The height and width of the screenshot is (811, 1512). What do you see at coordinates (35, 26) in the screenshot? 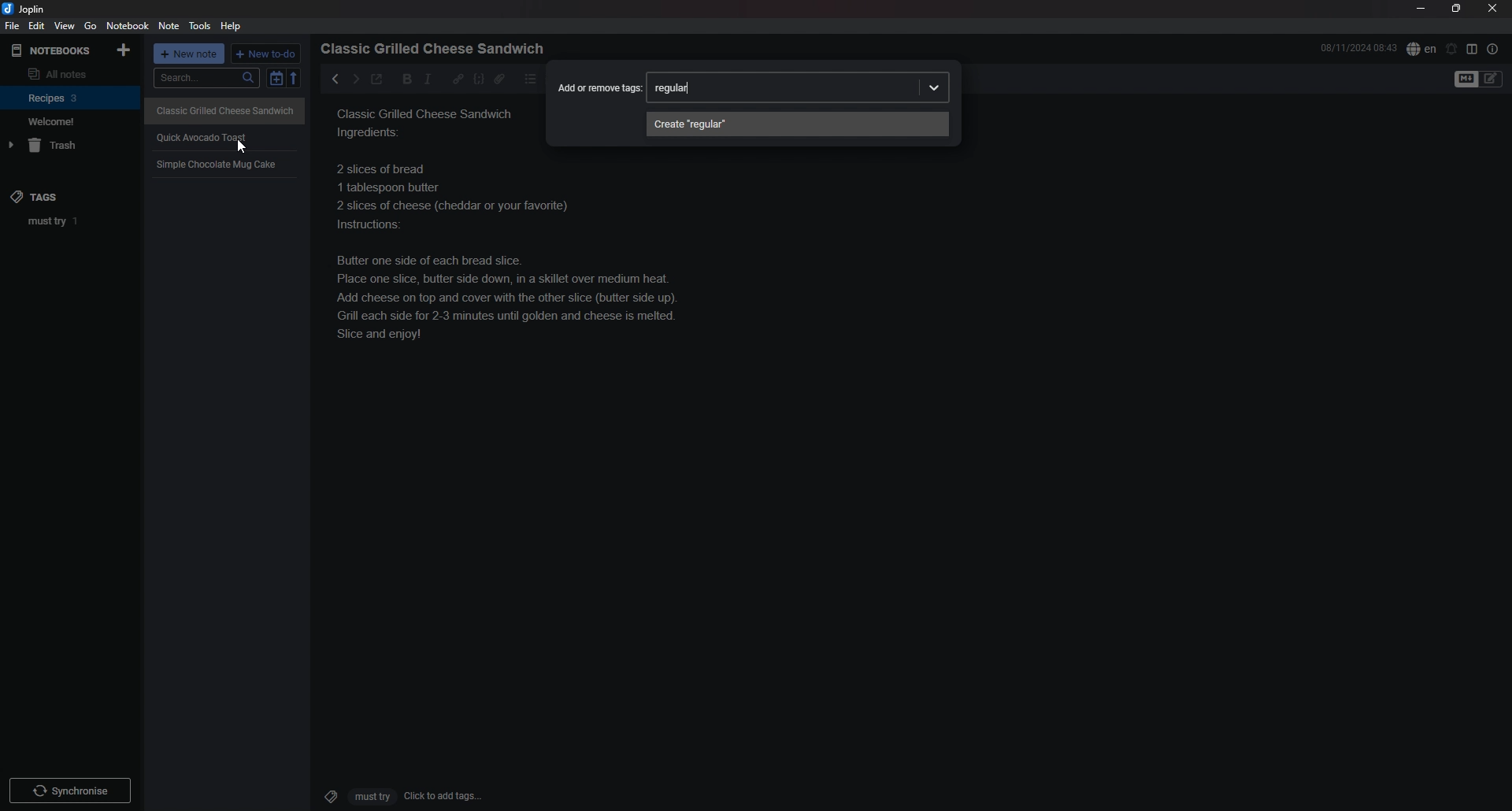
I see `edit` at bounding box center [35, 26].